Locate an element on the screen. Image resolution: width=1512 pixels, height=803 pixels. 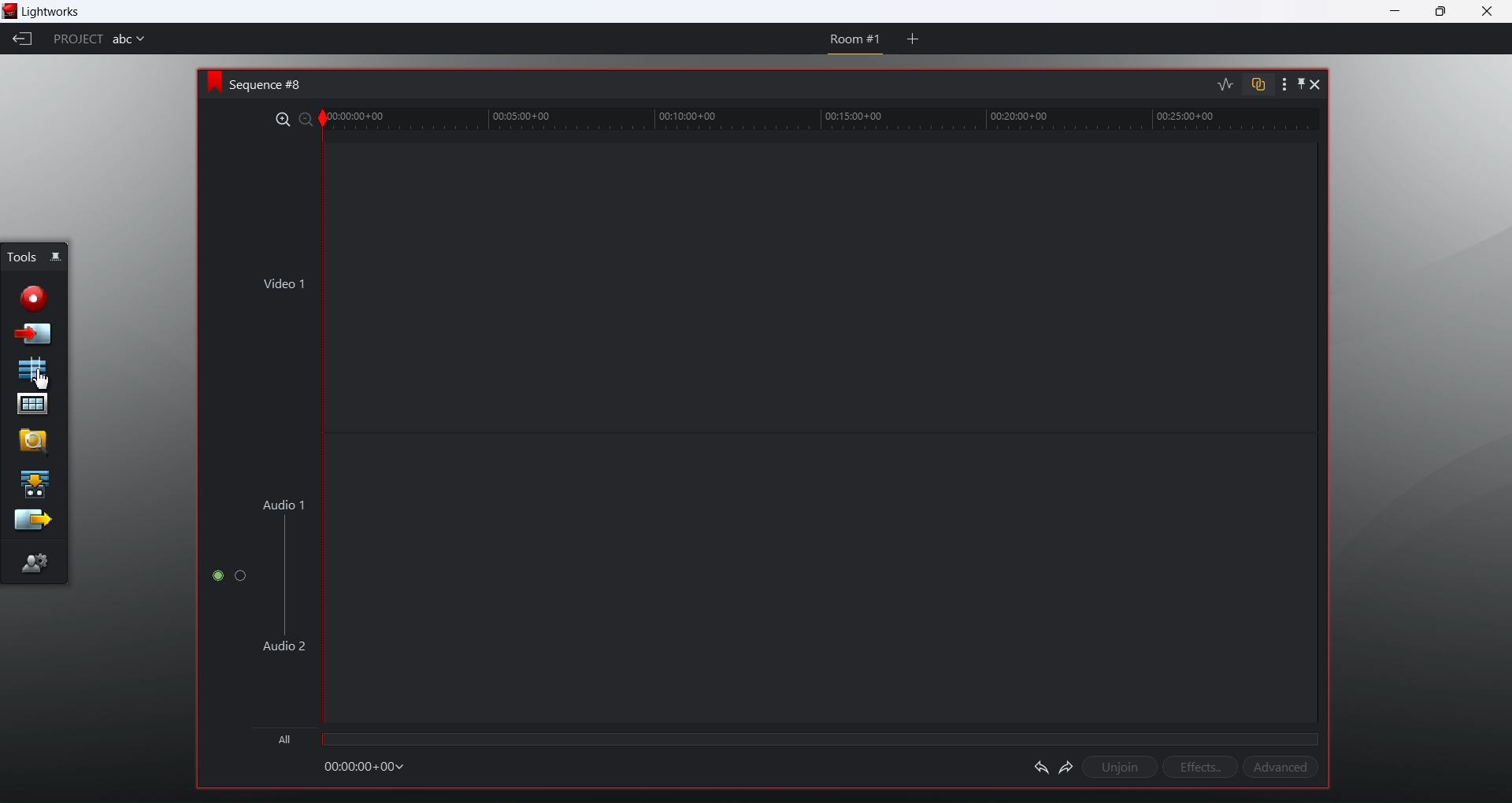
tools is located at coordinates (19, 255).